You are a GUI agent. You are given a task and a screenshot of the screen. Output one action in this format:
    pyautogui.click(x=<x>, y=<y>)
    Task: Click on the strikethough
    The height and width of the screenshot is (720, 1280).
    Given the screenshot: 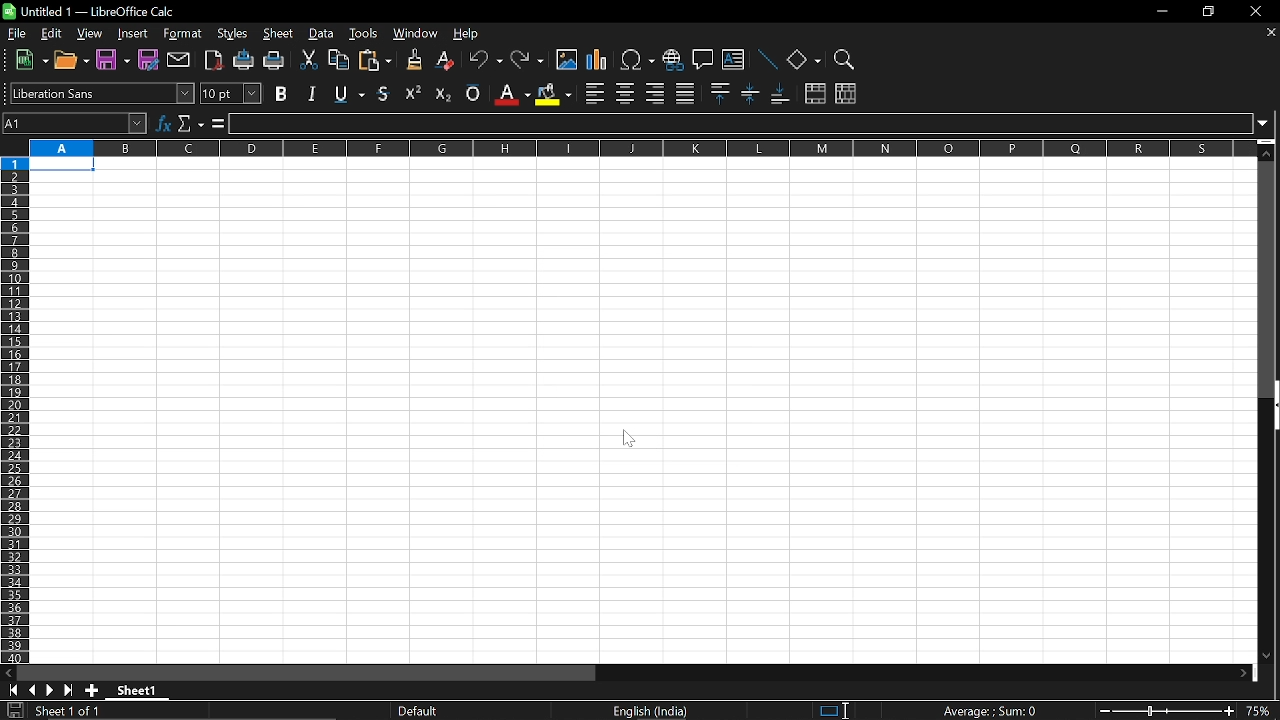 What is the action you would take?
    pyautogui.click(x=350, y=92)
    